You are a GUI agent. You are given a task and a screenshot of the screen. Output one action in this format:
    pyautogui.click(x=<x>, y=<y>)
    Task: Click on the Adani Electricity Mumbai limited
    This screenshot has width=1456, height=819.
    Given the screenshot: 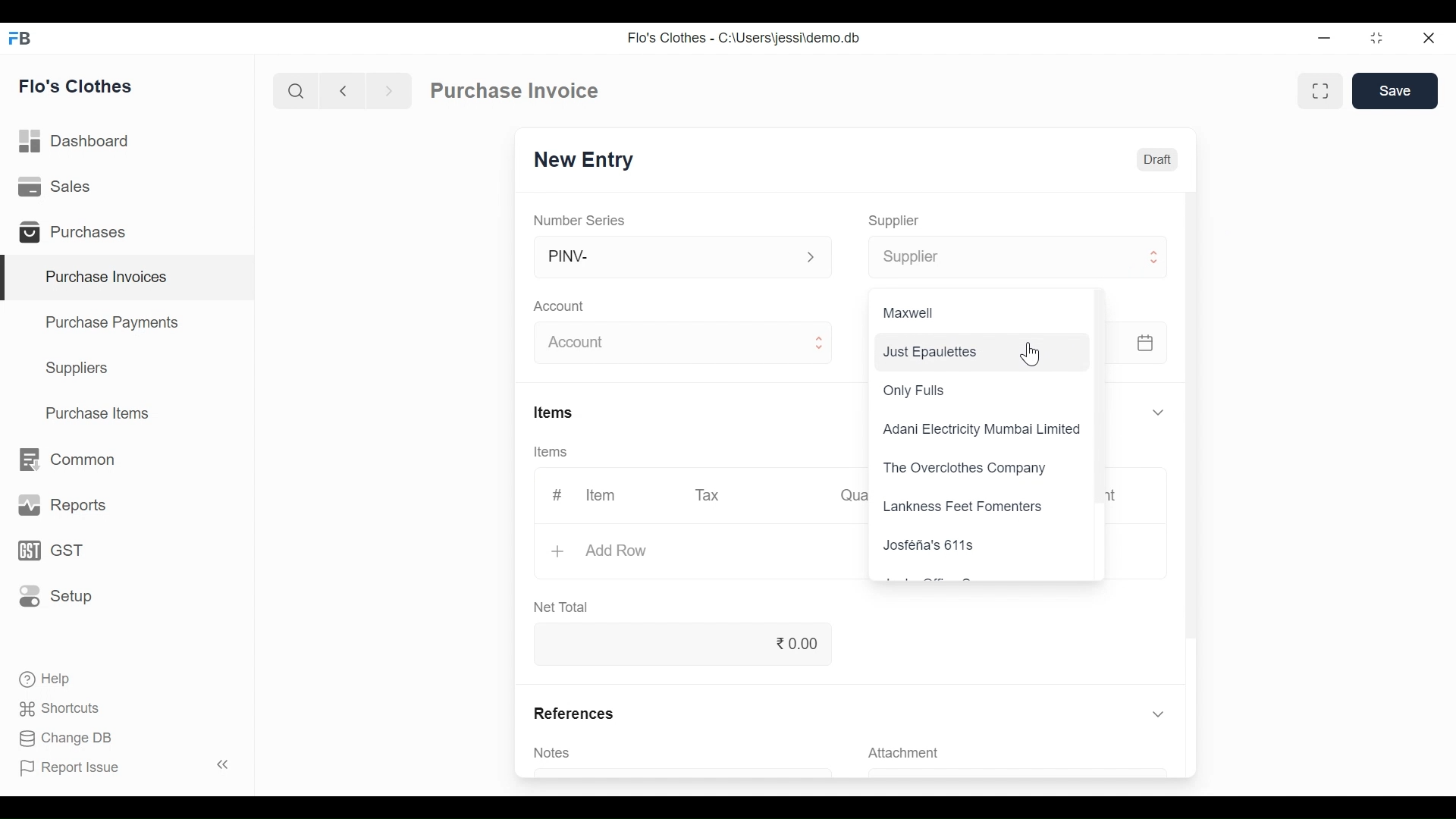 What is the action you would take?
    pyautogui.click(x=984, y=430)
    